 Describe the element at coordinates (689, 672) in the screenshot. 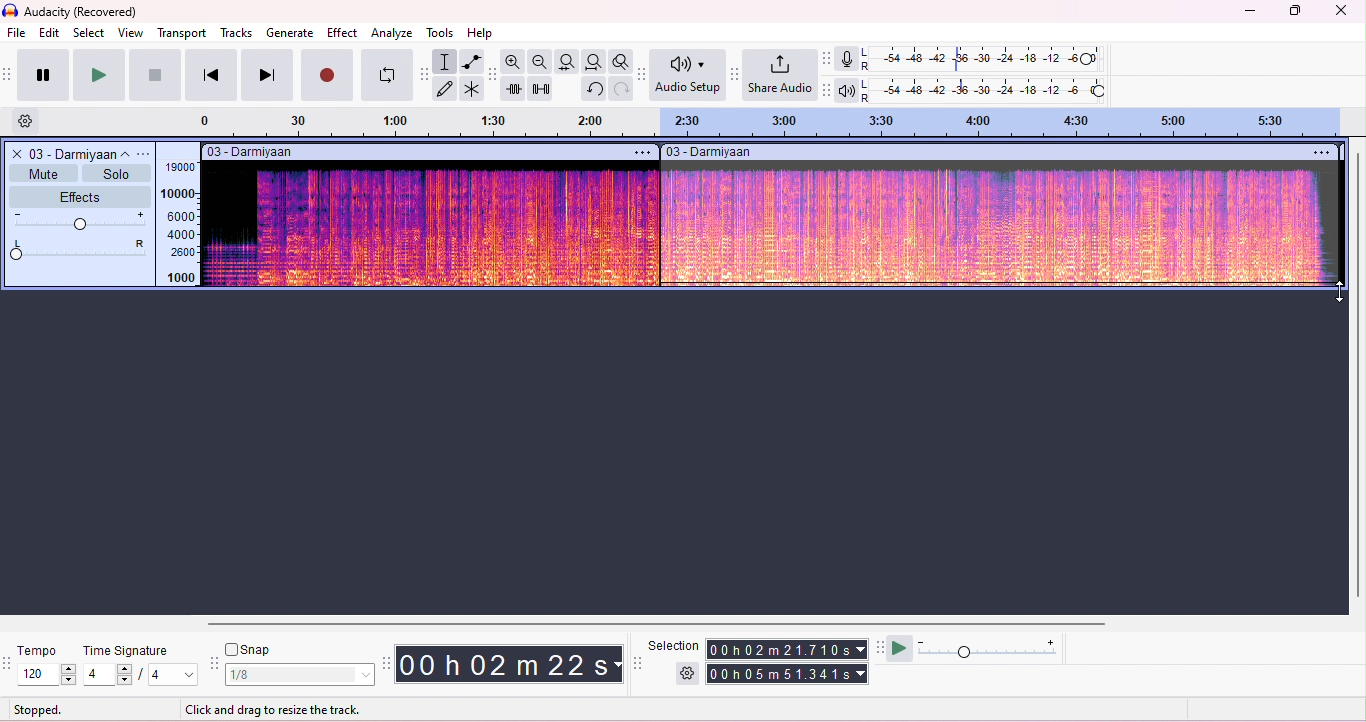

I see `selection options` at that location.